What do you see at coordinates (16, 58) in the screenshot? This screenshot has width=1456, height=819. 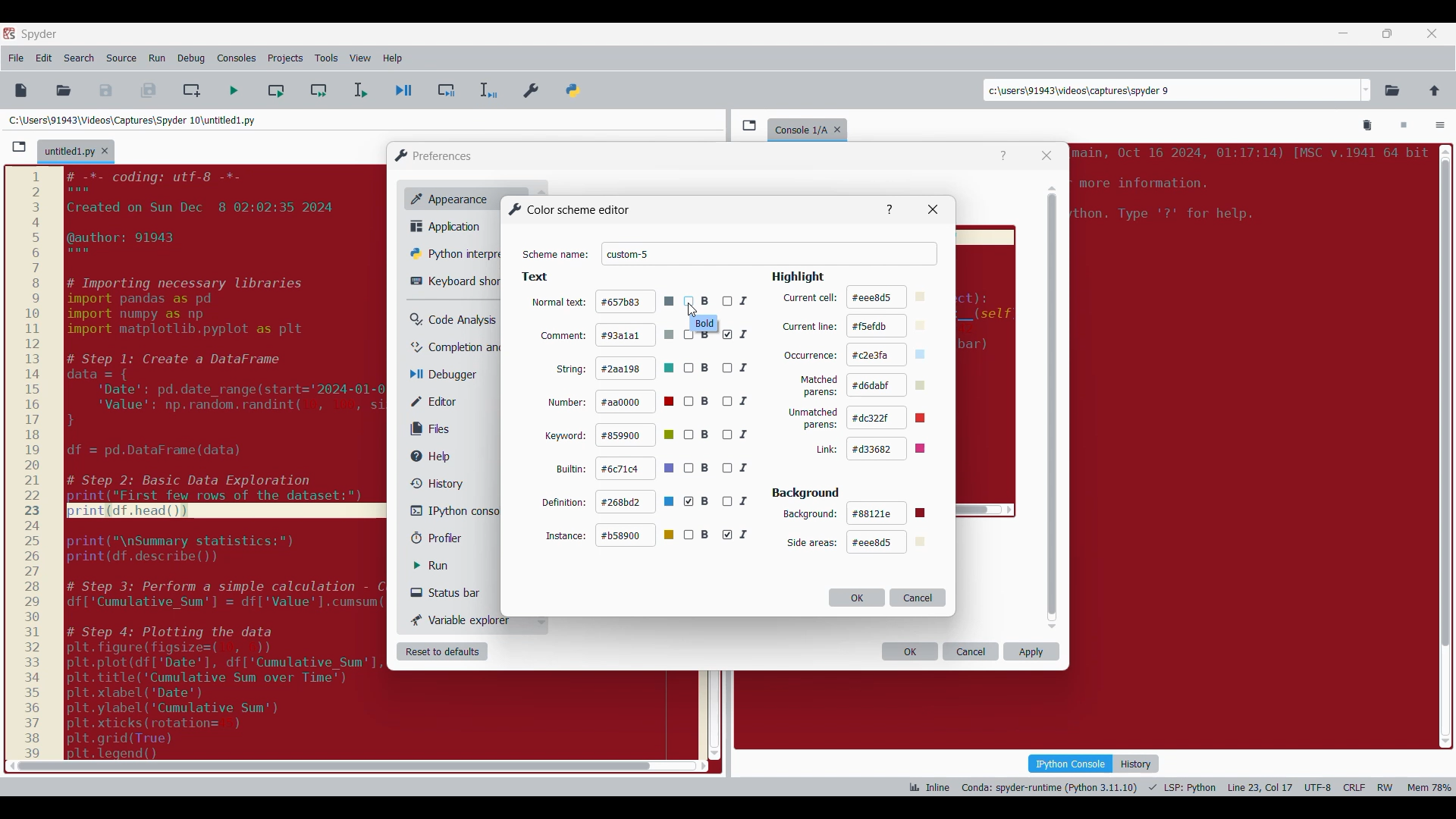 I see `File menu ` at bounding box center [16, 58].